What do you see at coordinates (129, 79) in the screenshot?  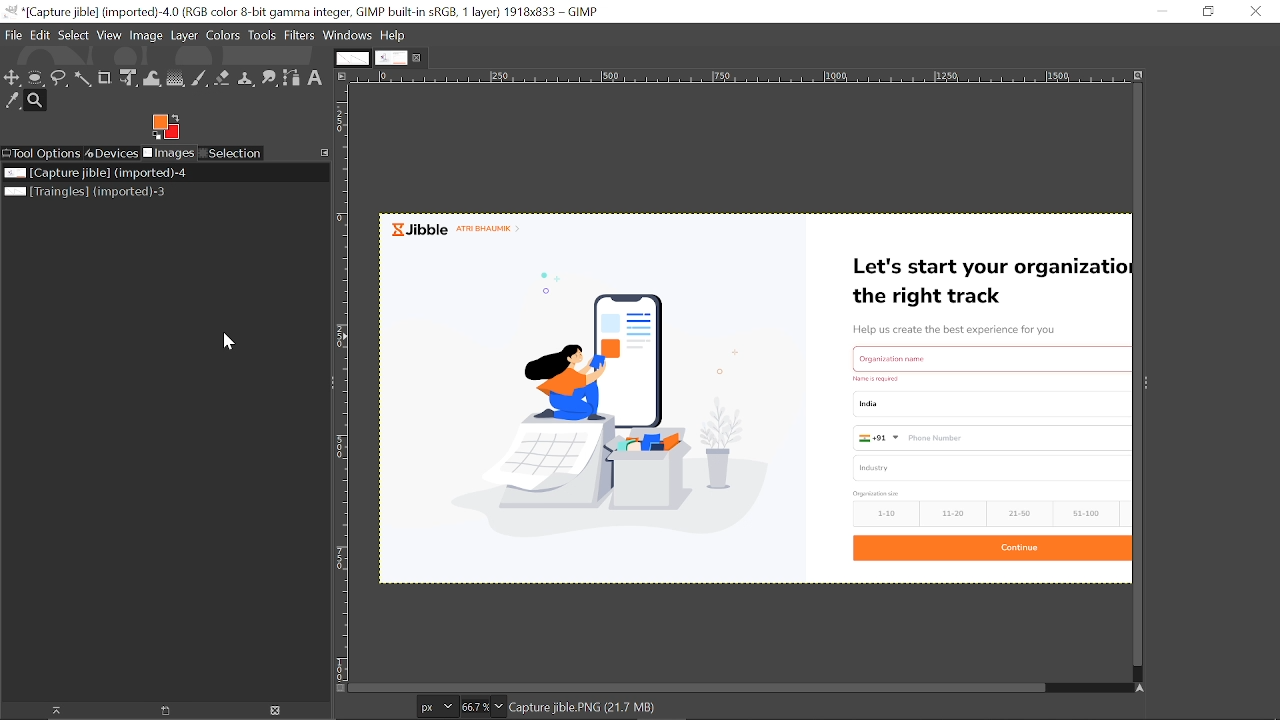 I see `Unified transform tool` at bounding box center [129, 79].